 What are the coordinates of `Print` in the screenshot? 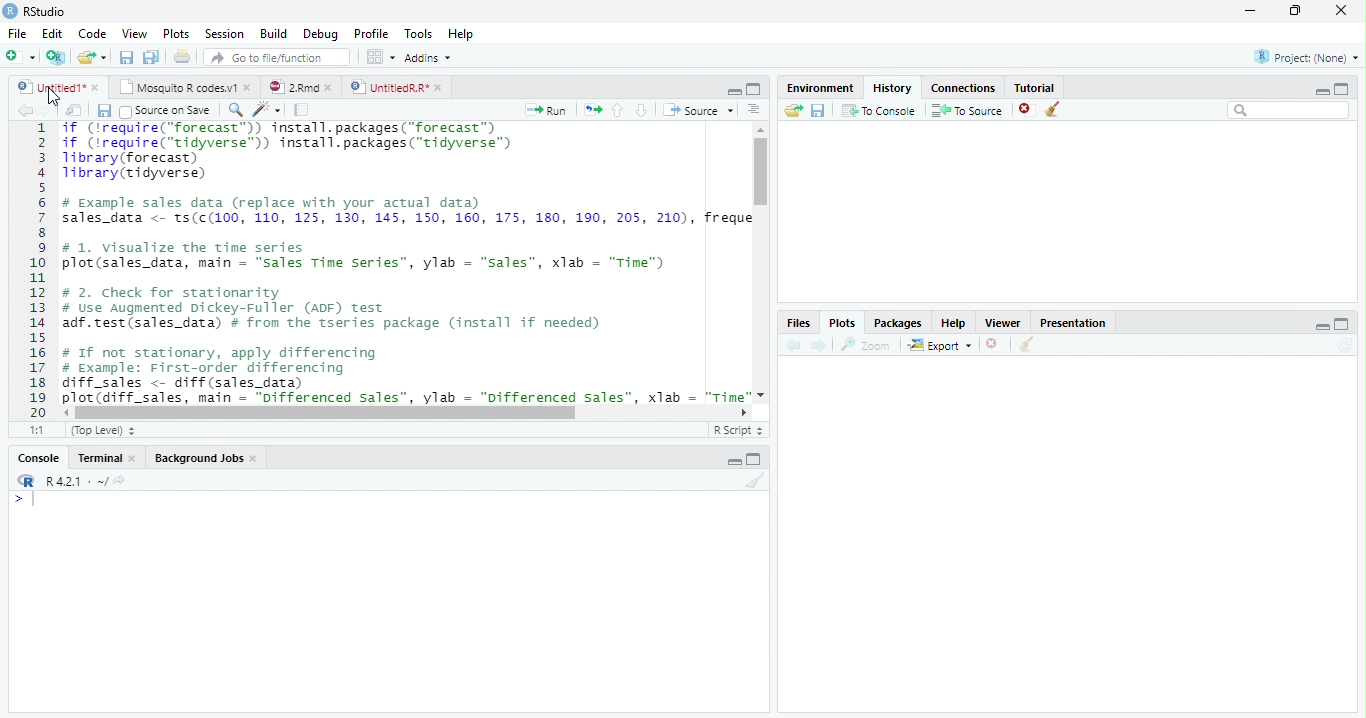 It's located at (182, 57).